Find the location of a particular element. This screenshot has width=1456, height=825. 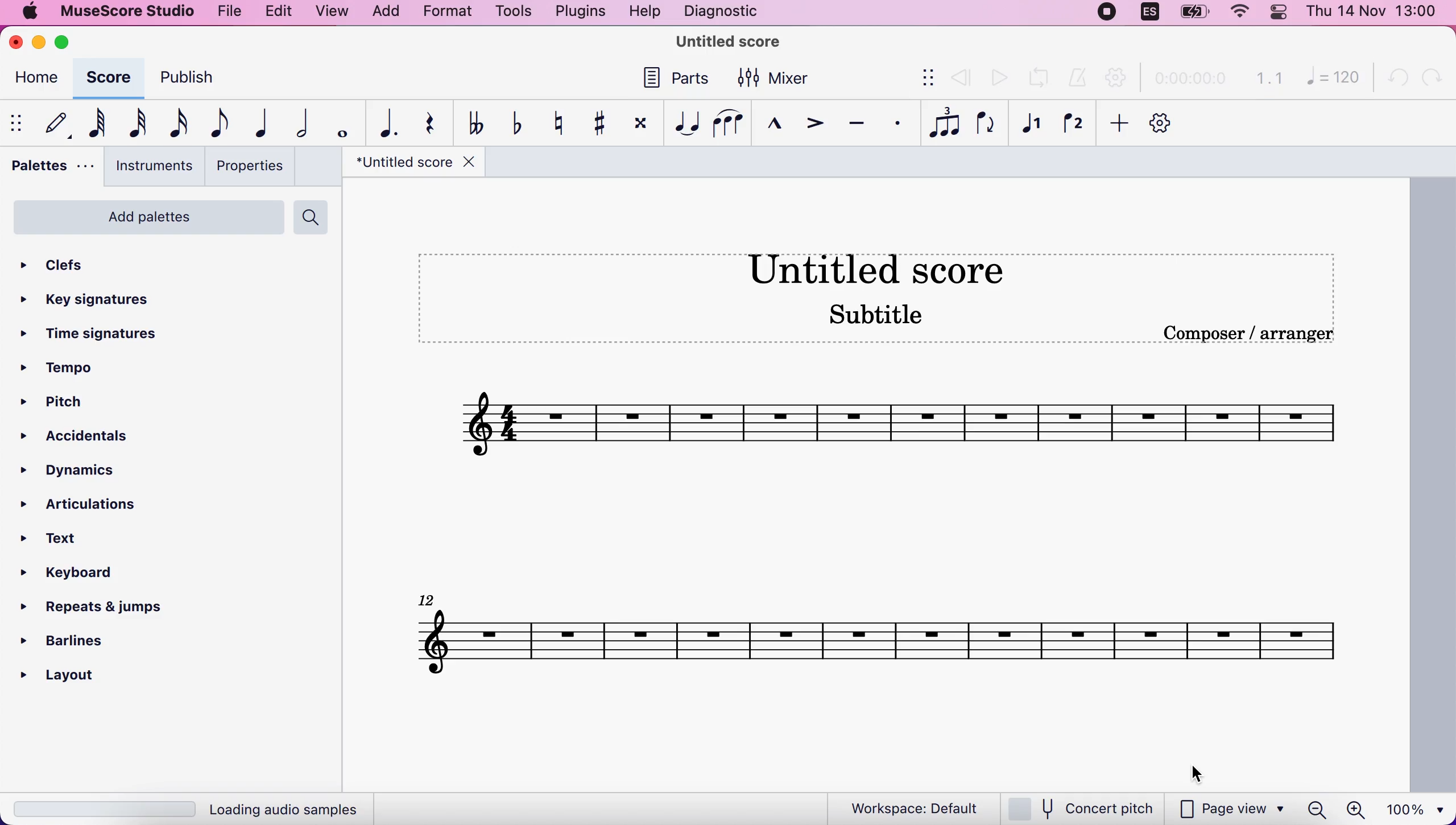

musical scales is located at coordinates (871, 428).